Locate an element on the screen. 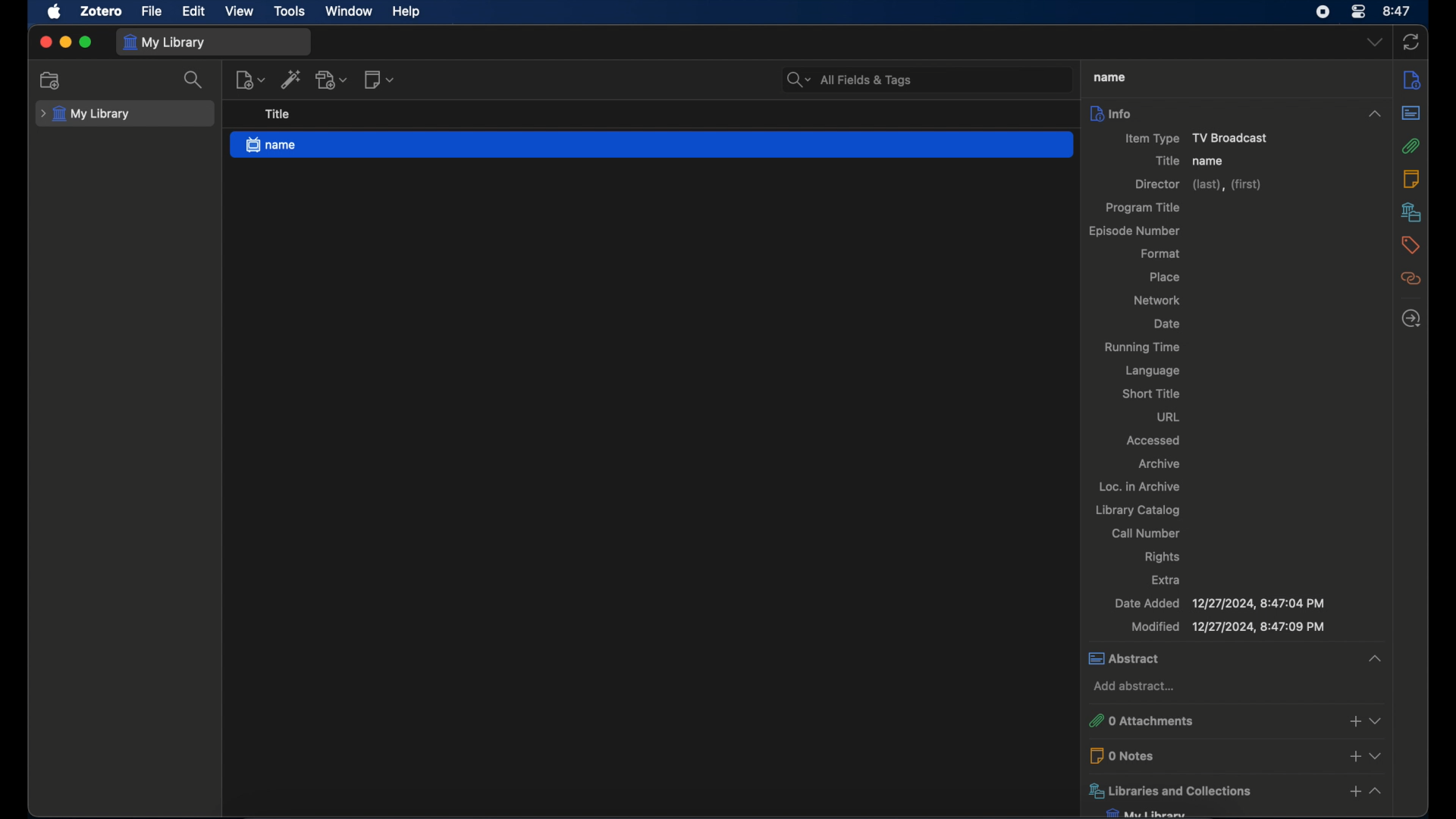 Image resolution: width=1456 pixels, height=819 pixels. network is located at coordinates (1156, 300).